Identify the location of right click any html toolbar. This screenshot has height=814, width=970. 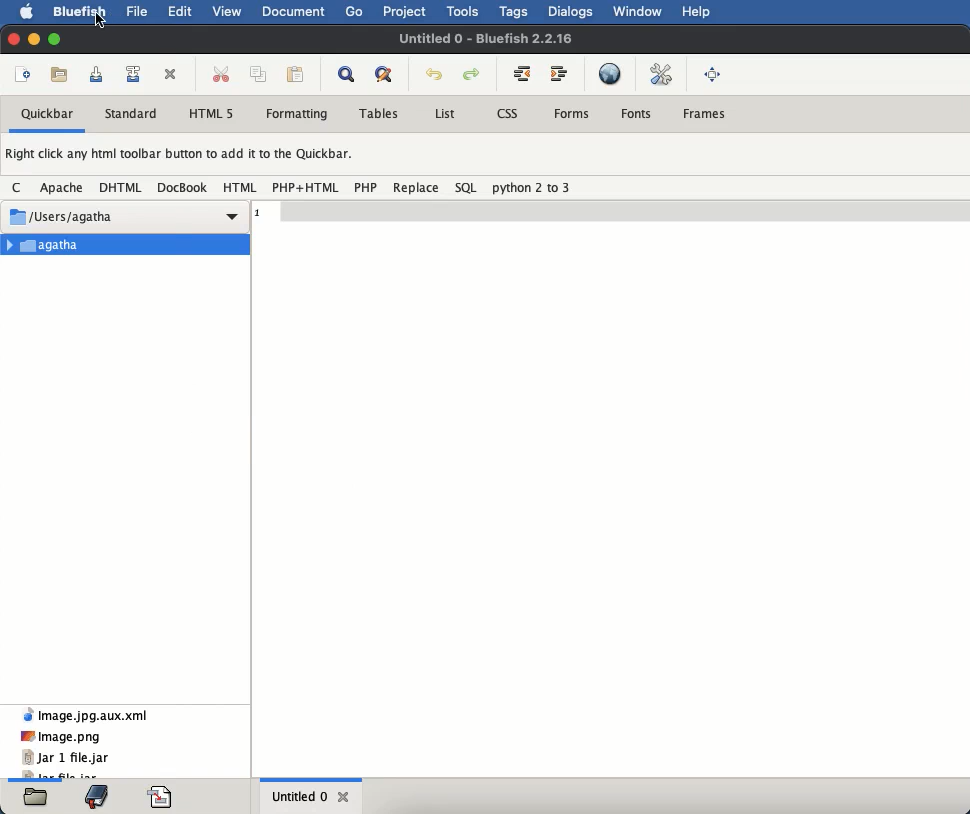
(181, 156).